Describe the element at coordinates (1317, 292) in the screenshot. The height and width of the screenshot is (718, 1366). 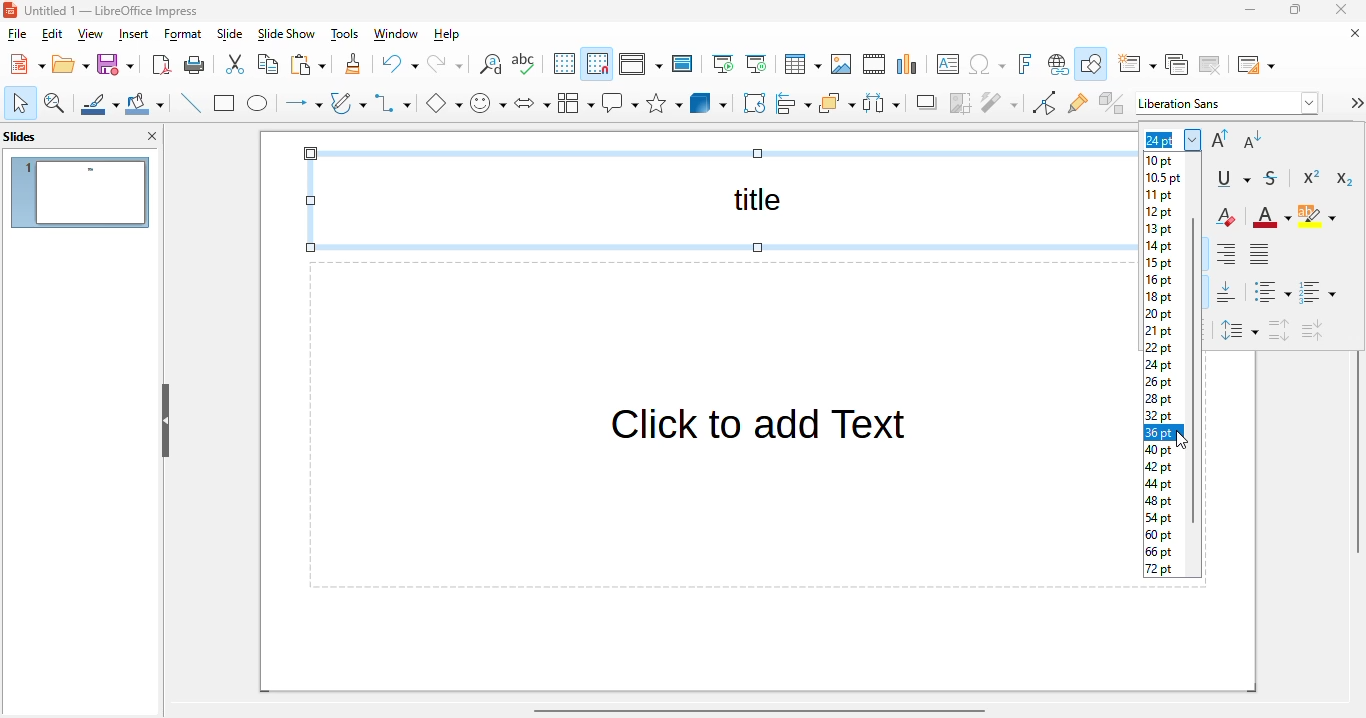
I see `toggle ordered list` at that location.